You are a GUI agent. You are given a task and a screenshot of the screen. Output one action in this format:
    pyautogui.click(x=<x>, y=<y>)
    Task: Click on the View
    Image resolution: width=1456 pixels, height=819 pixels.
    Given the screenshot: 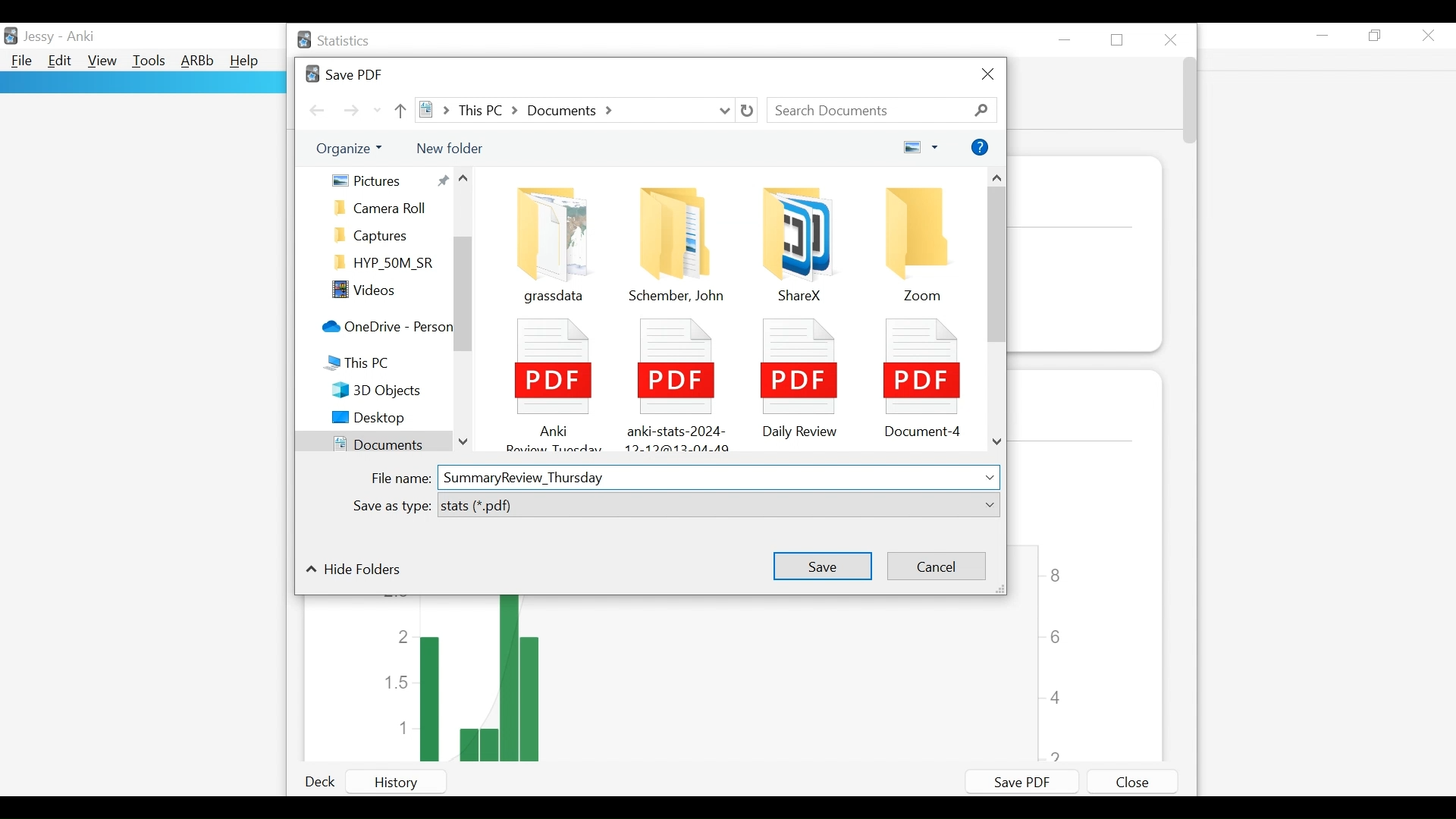 What is the action you would take?
    pyautogui.click(x=102, y=61)
    